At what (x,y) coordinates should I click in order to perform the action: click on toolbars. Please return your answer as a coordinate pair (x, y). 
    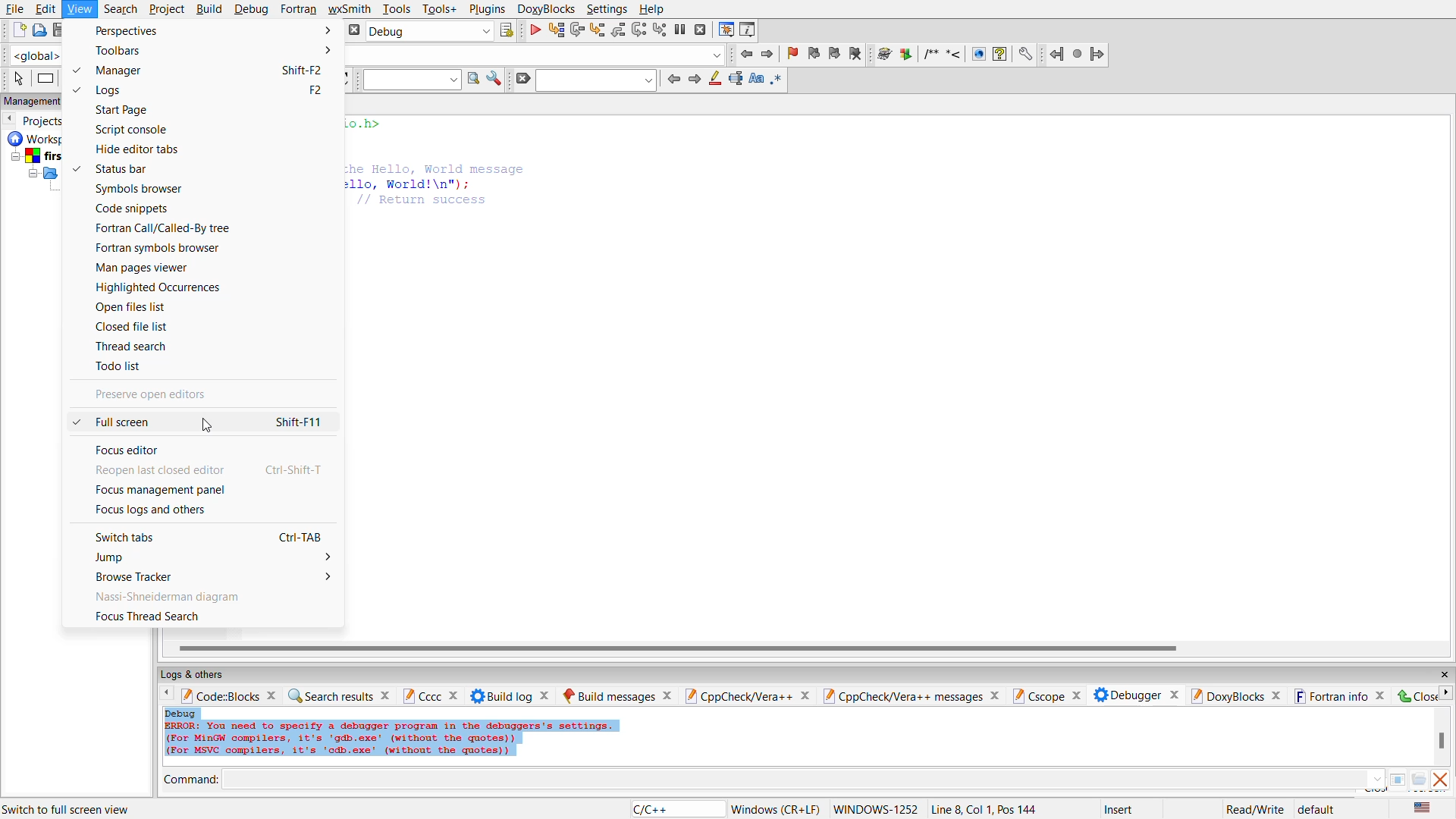
    Looking at the image, I should click on (214, 52).